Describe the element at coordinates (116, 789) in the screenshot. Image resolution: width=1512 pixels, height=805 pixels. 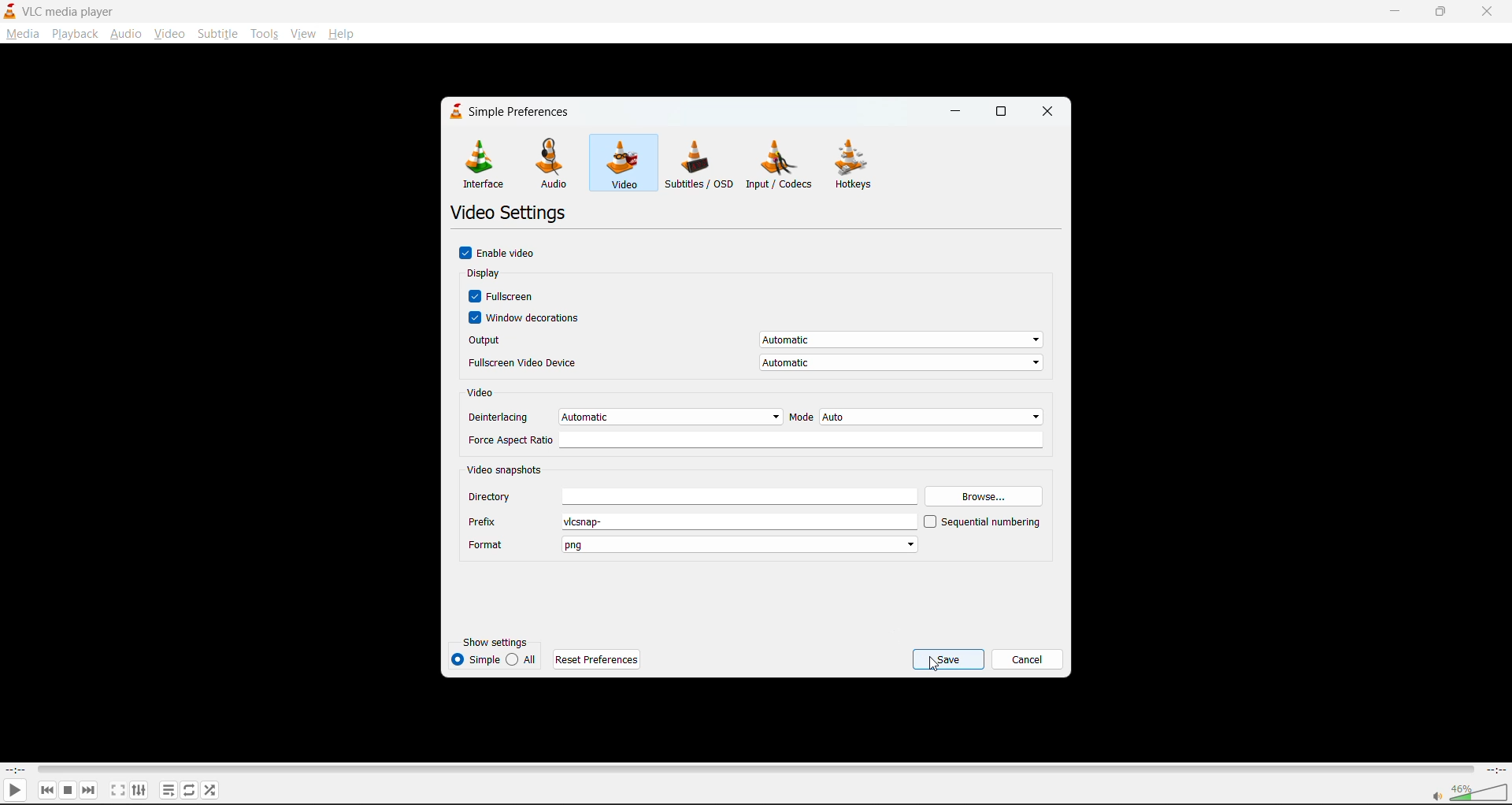
I see `fullscreen` at that location.